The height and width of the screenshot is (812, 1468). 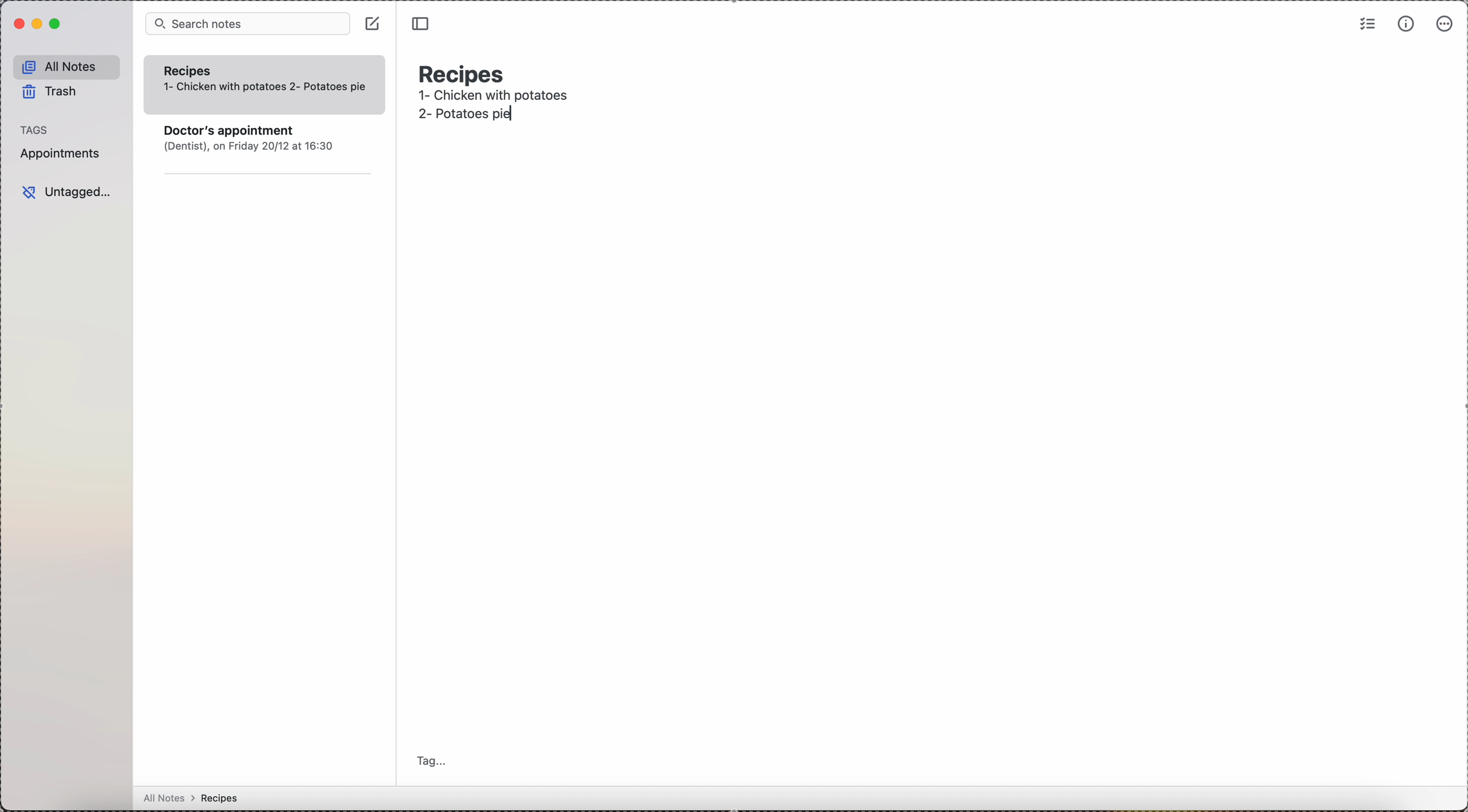 I want to click on second recipe, so click(x=469, y=116).